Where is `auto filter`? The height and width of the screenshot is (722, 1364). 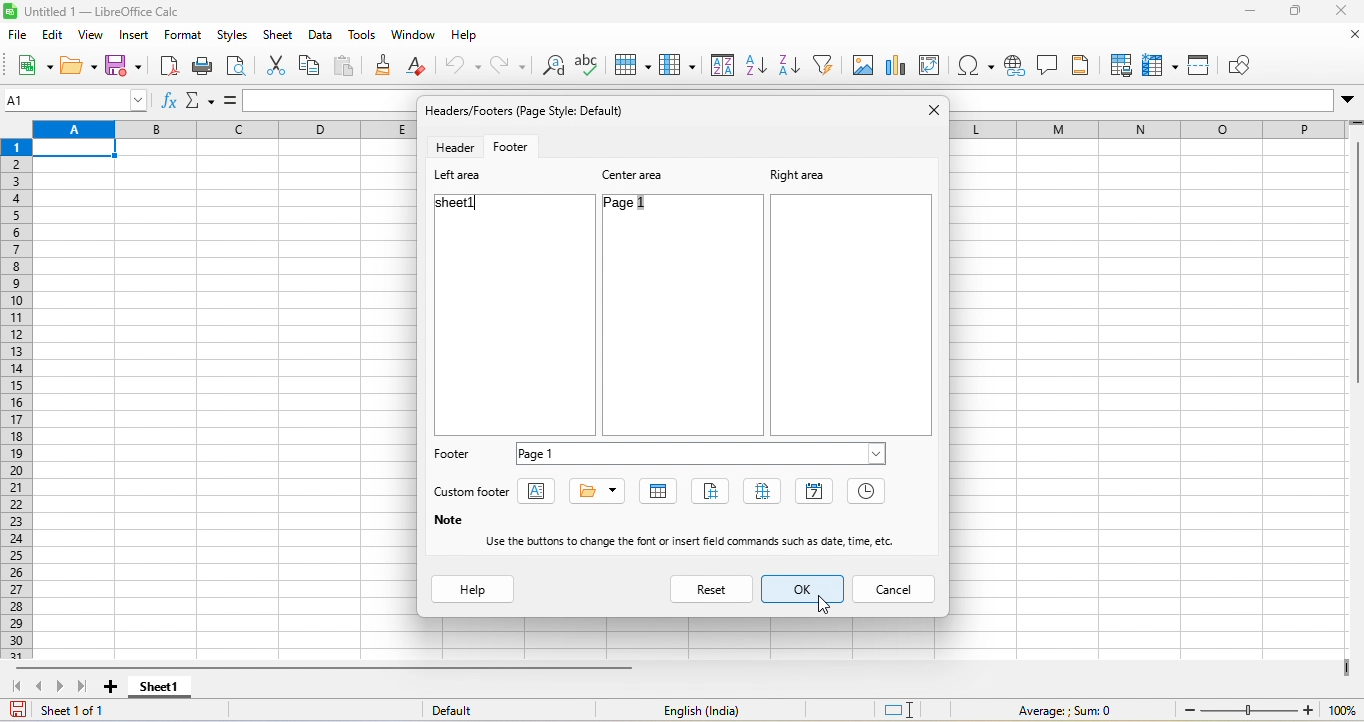
auto filter is located at coordinates (826, 64).